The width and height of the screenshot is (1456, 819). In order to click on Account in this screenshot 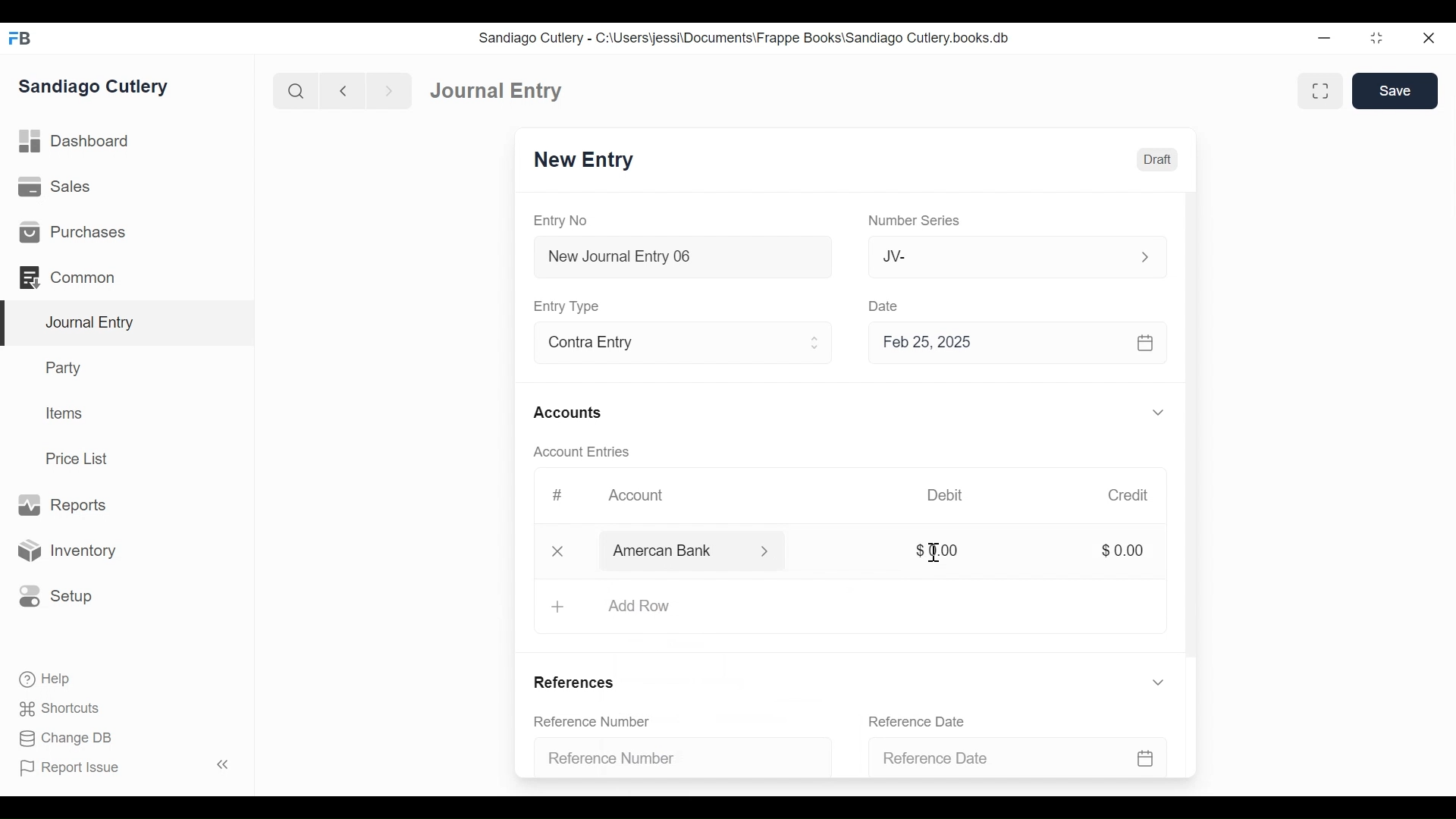, I will do `click(646, 500)`.